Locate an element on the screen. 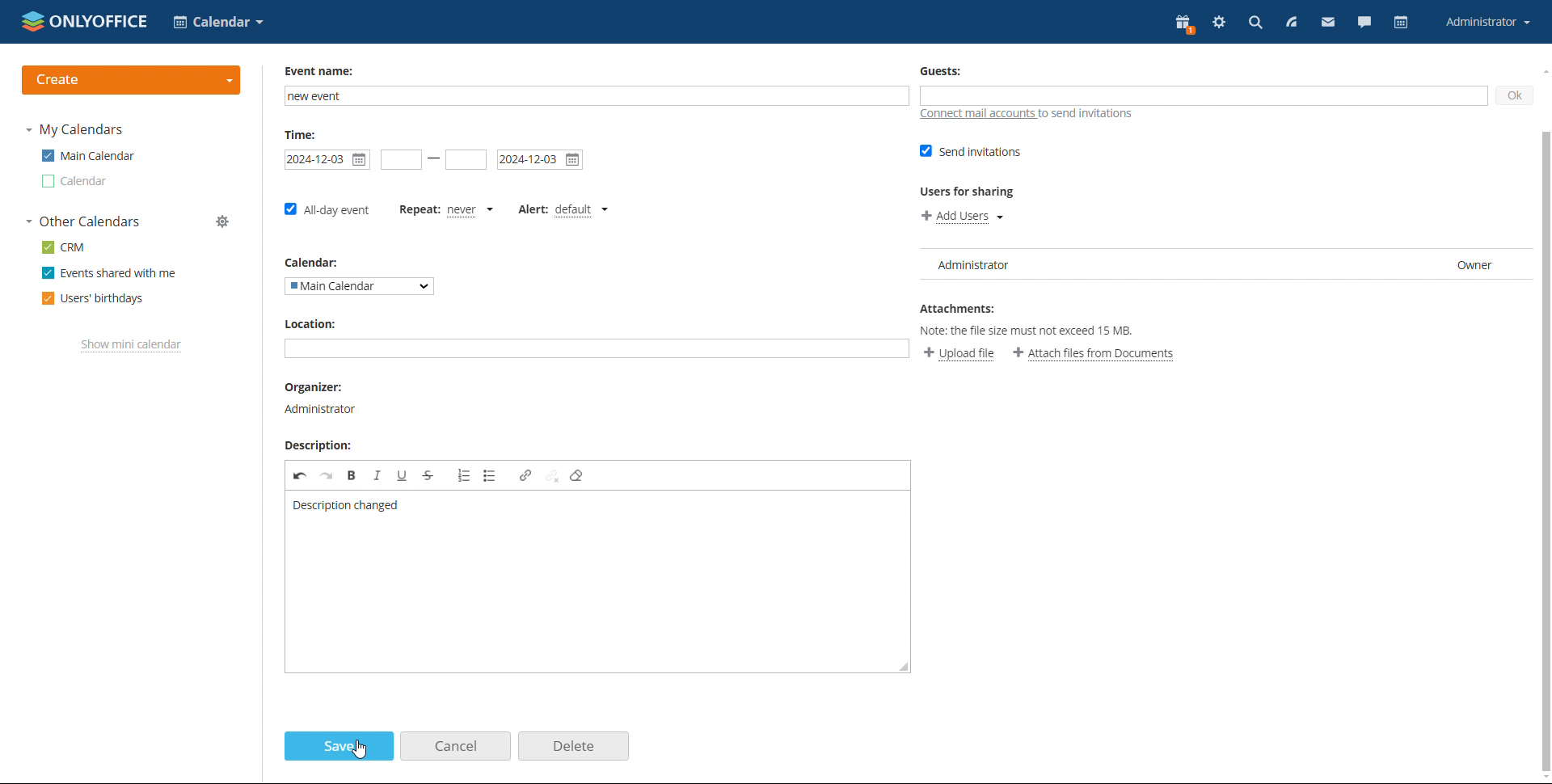 The width and height of the screenshot is (1552, 784). other calendar is located at coordinates (74, 182).